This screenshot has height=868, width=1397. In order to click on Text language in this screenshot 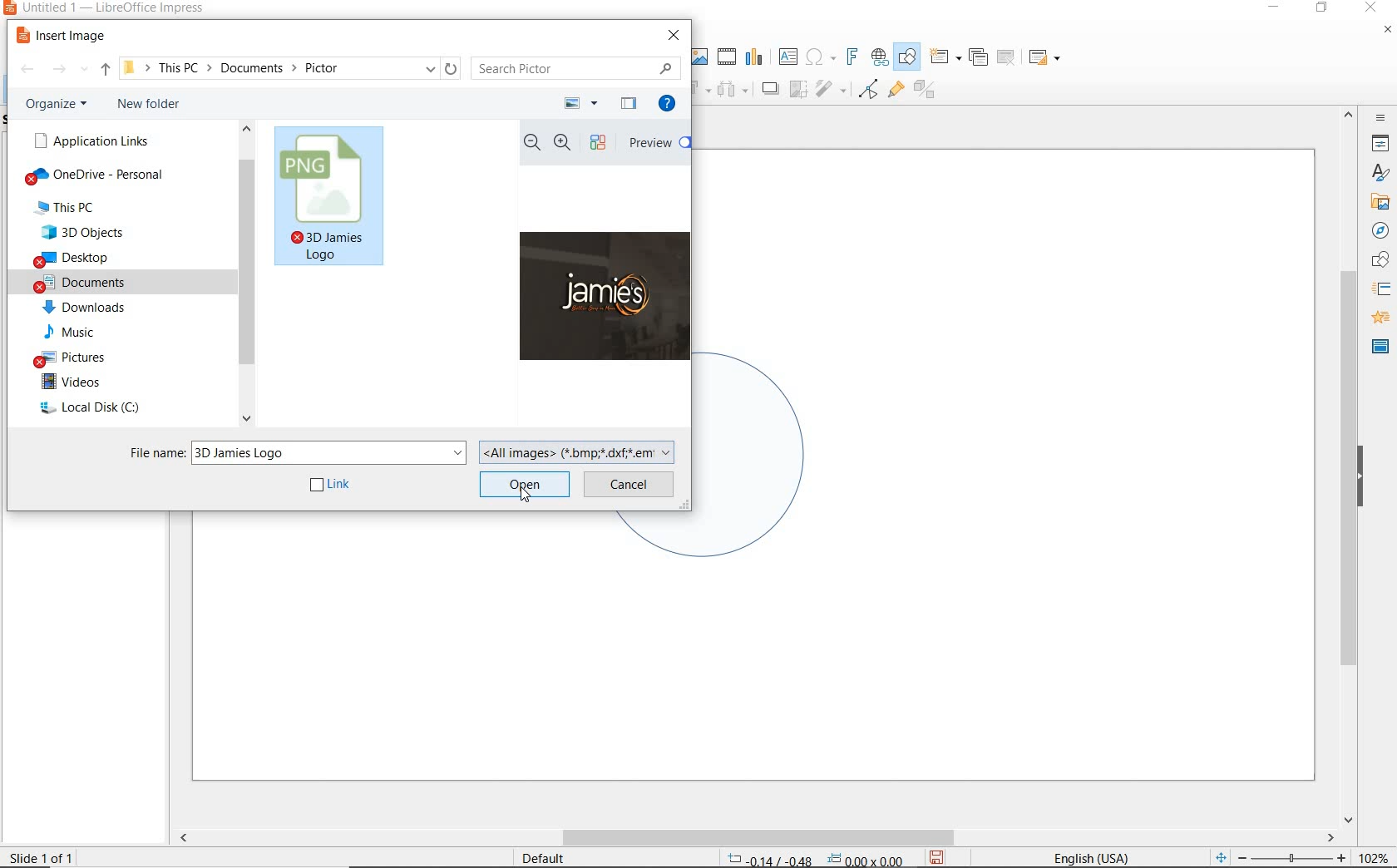, I will do `click(1088, 856)`.